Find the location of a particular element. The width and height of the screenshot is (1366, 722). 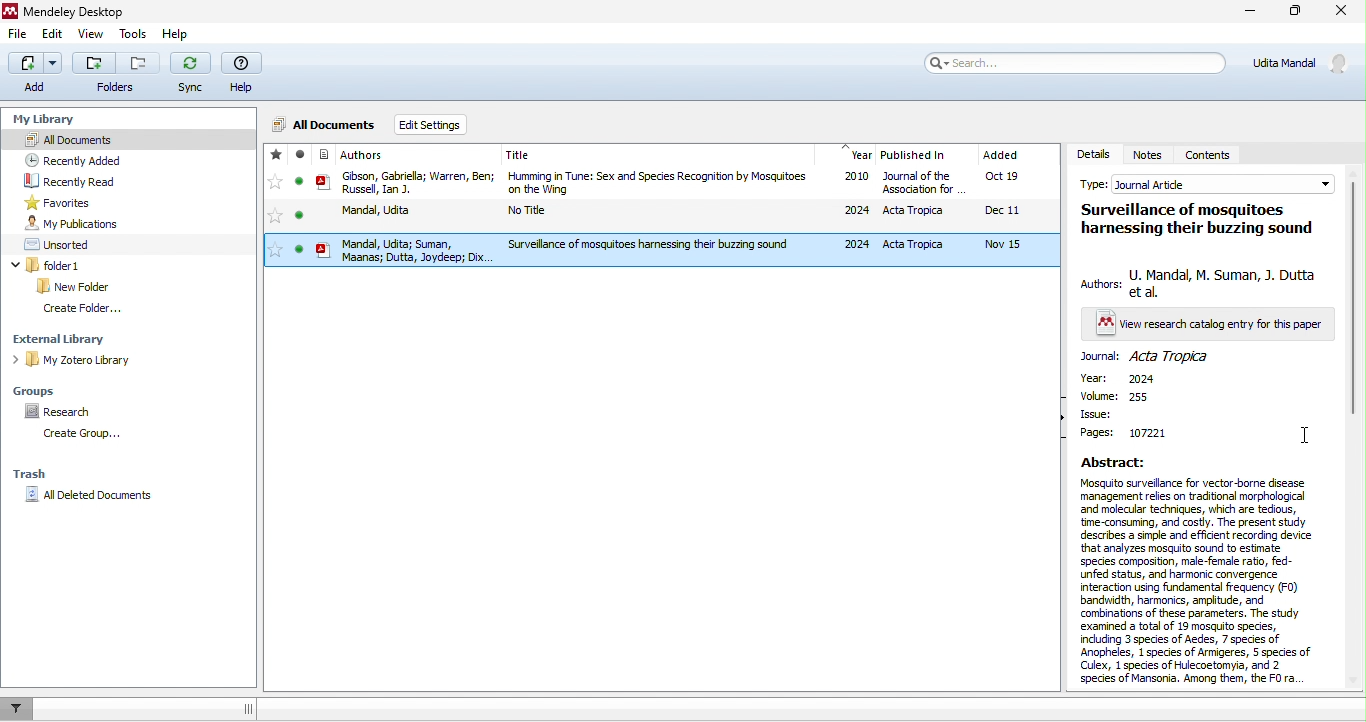

edit is located at coordinates (53, 36).